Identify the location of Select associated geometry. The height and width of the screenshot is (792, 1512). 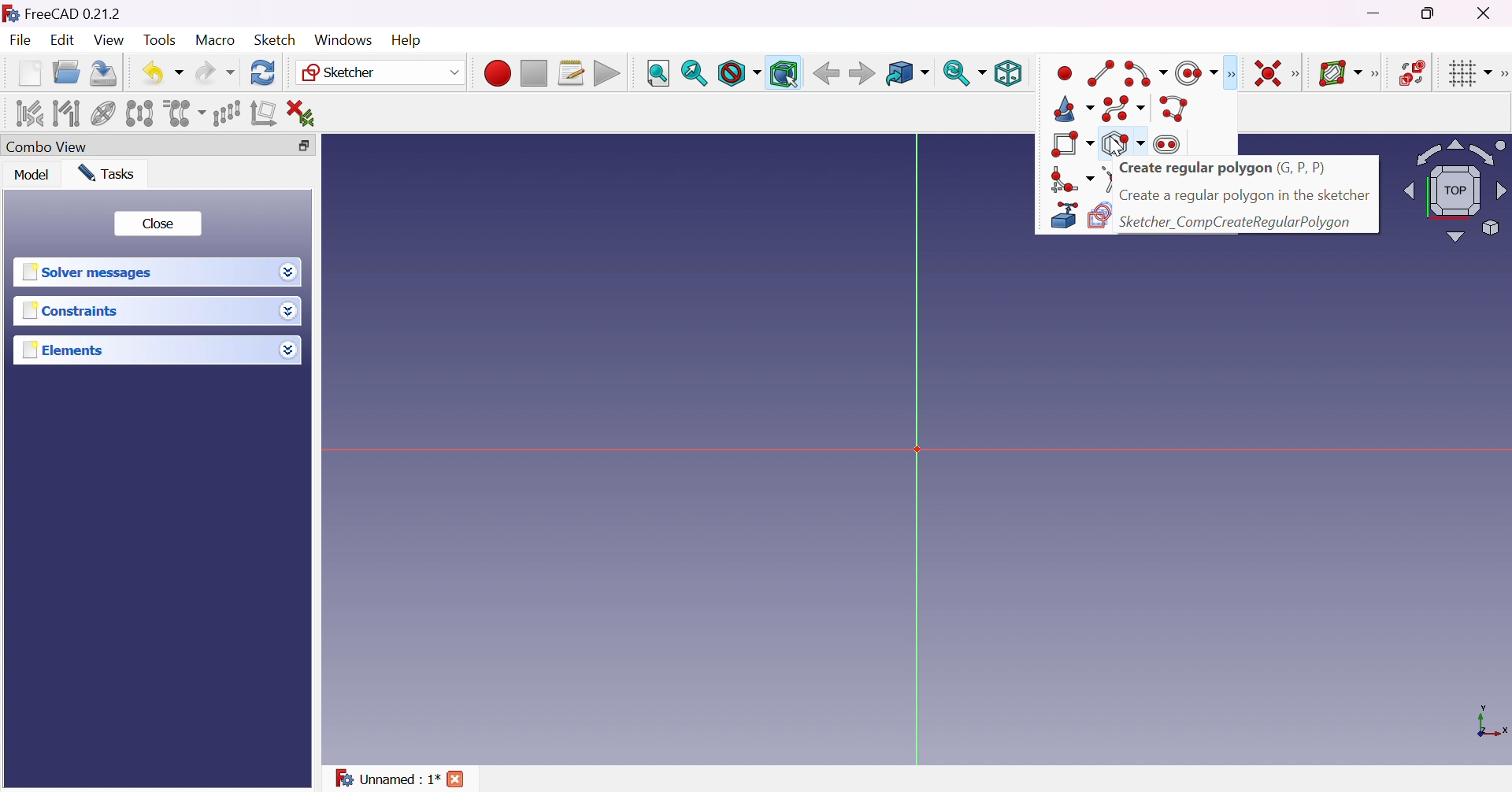
(66, 113).